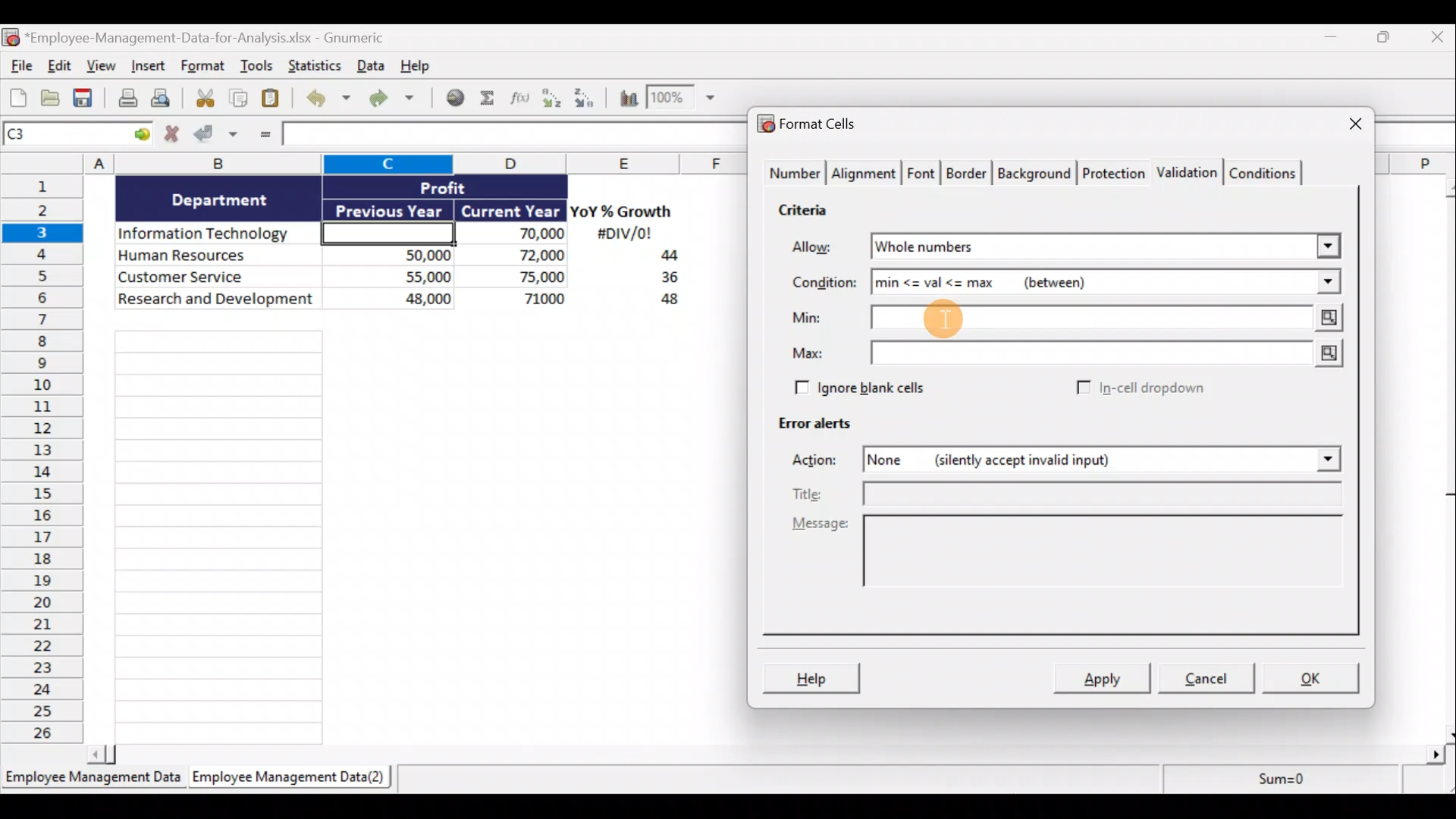 The height and width of the screenshot is (819, 1456). I want to click on Sum=0, so click(1275, 783).